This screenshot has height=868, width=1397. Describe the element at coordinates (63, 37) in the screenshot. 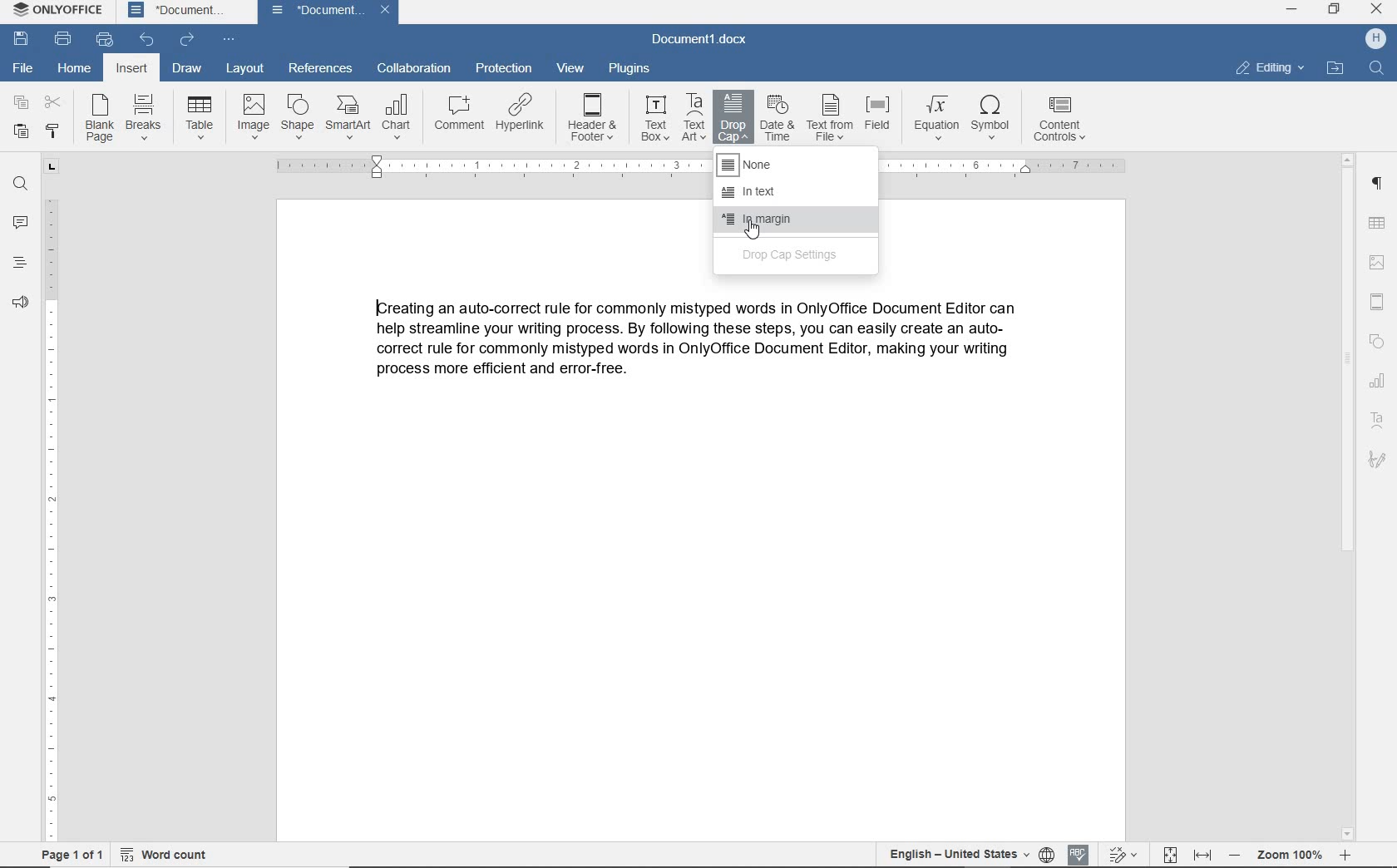

I see `print` at that location.